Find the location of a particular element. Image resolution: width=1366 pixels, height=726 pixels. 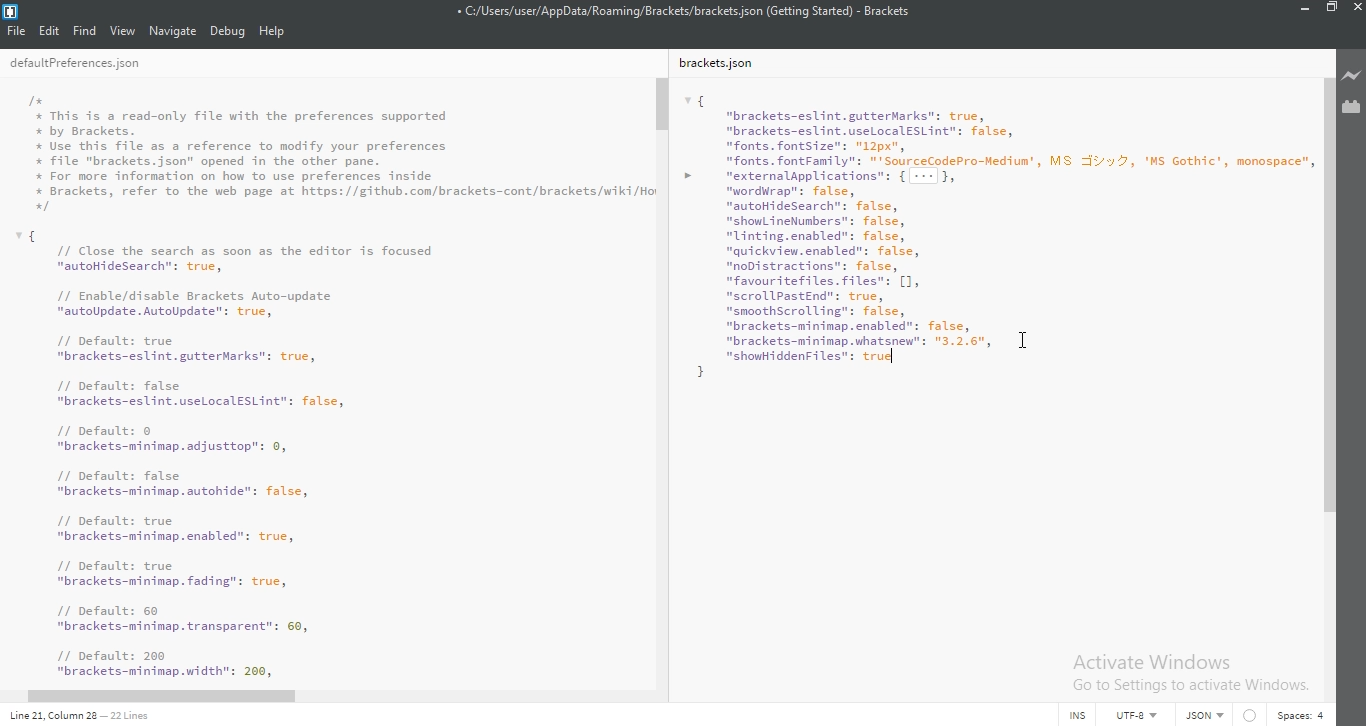

* This is a read-only file with the preferences supported
* by Brackets.
* Use this file as a reference to modify your preferences
+ file "brackets.json" opened in the other pane.
+ For more information on how to use preferences inside
+ Brackets, refer to the web page at https: //github.com/brackets-cont/brackets/wiki/Ho
/
© // Close the search as soon as the editor is focused

"autoHideSearch": true,

// Enable/disable Brackets Auto-update

“autoUpdate. AutoUpdate”: true,

11 Default: true

"brackets-eslint.gutterMarks": true,

77 Default: false

"brackets-eslint.uselocalESLint": false,

11 Default: ©

"brackets-mininap.adjusttop": 0,

71 Default: false

"brackets-mininap.autohide": false,

11 Default: true

"brackets-mininap. enabled": true,

11 Default: true

“"brackets-mininap. fading": true,

11 Default: 60

"brackets-mininap. transparent”: 60,

11 Default: 200

"brackets-minimap.width": 200, is located at coordinates (338, 380).